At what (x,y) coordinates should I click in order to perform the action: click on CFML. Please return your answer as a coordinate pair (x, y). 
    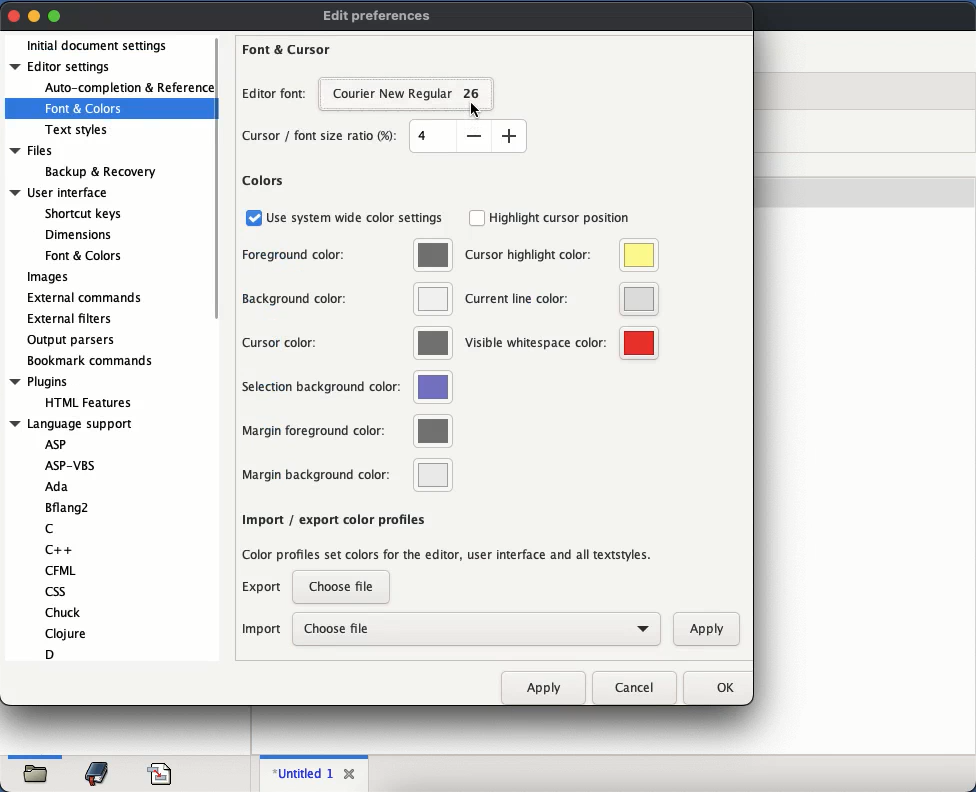
    Looking at the image, I should click on (60, 569).